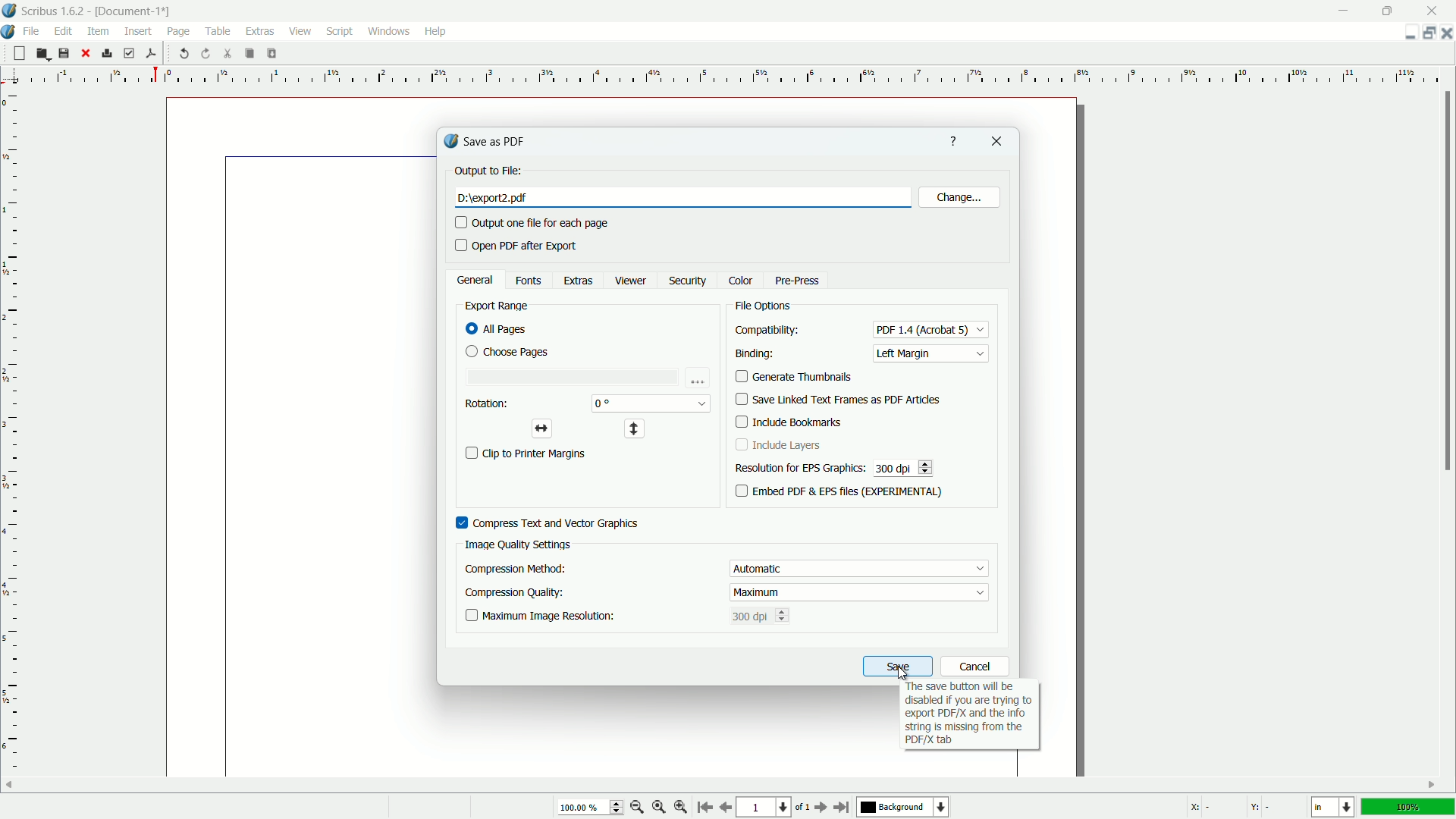 The image size is (1456, 819). What do you see at coordinates (839, 492) in the screenshot?
I see `embed pdf & eps files(EXPERIMENTAL)` at bounding box center [839, 492].